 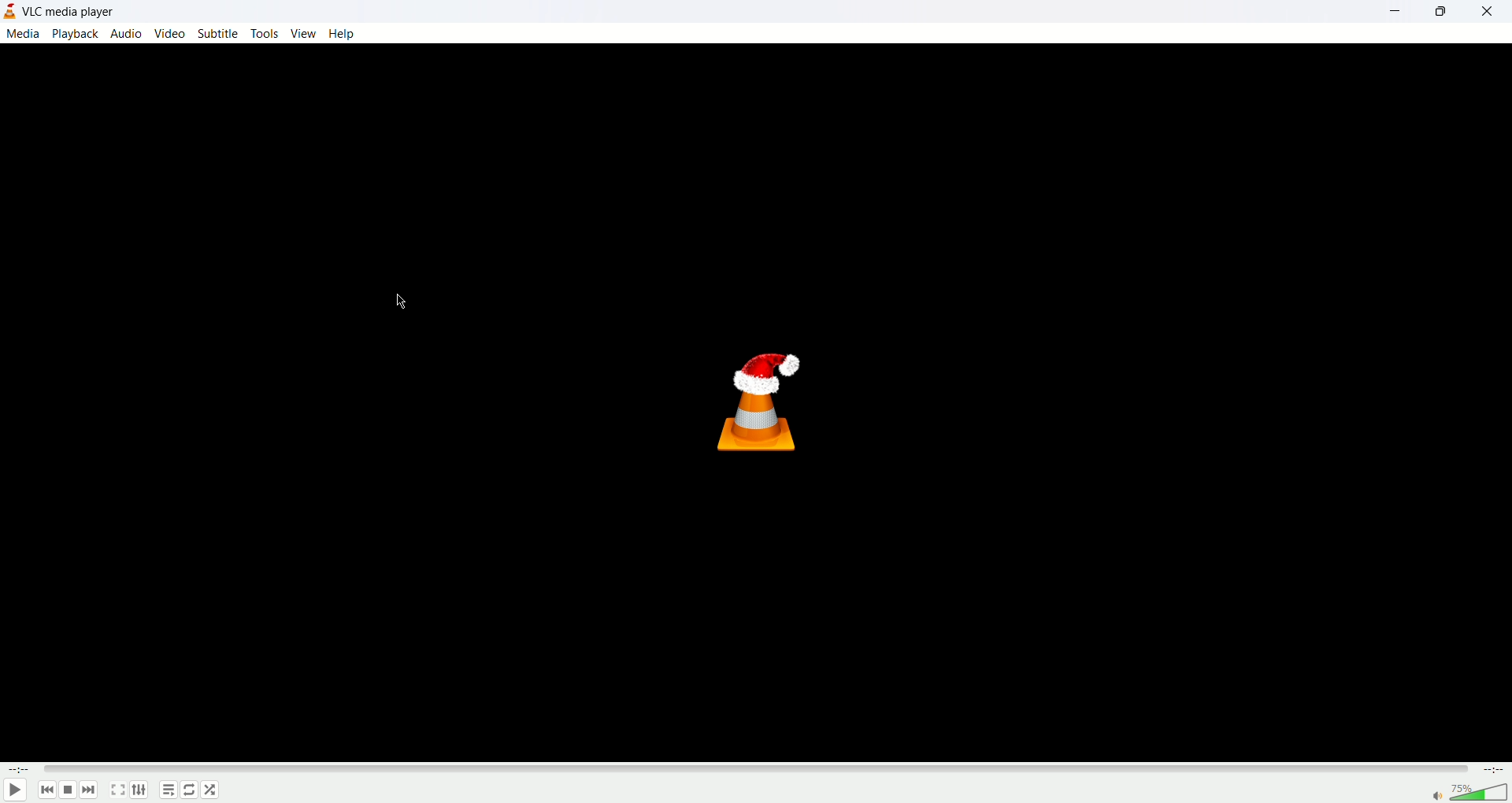 I want to click on cursor, so click(x=406, y=303).